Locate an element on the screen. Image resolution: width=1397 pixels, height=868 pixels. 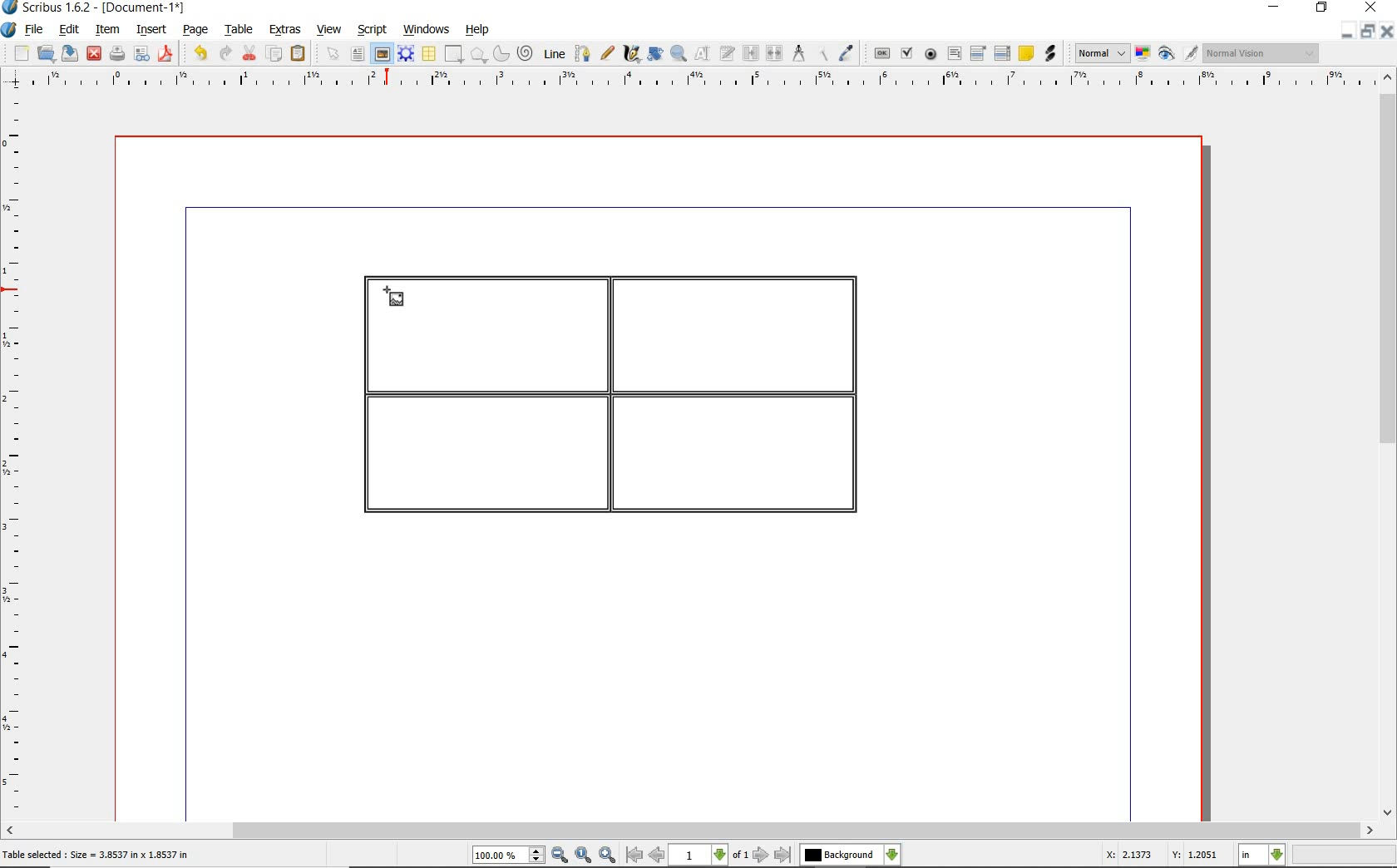
help is located at coordinates (477, 30).